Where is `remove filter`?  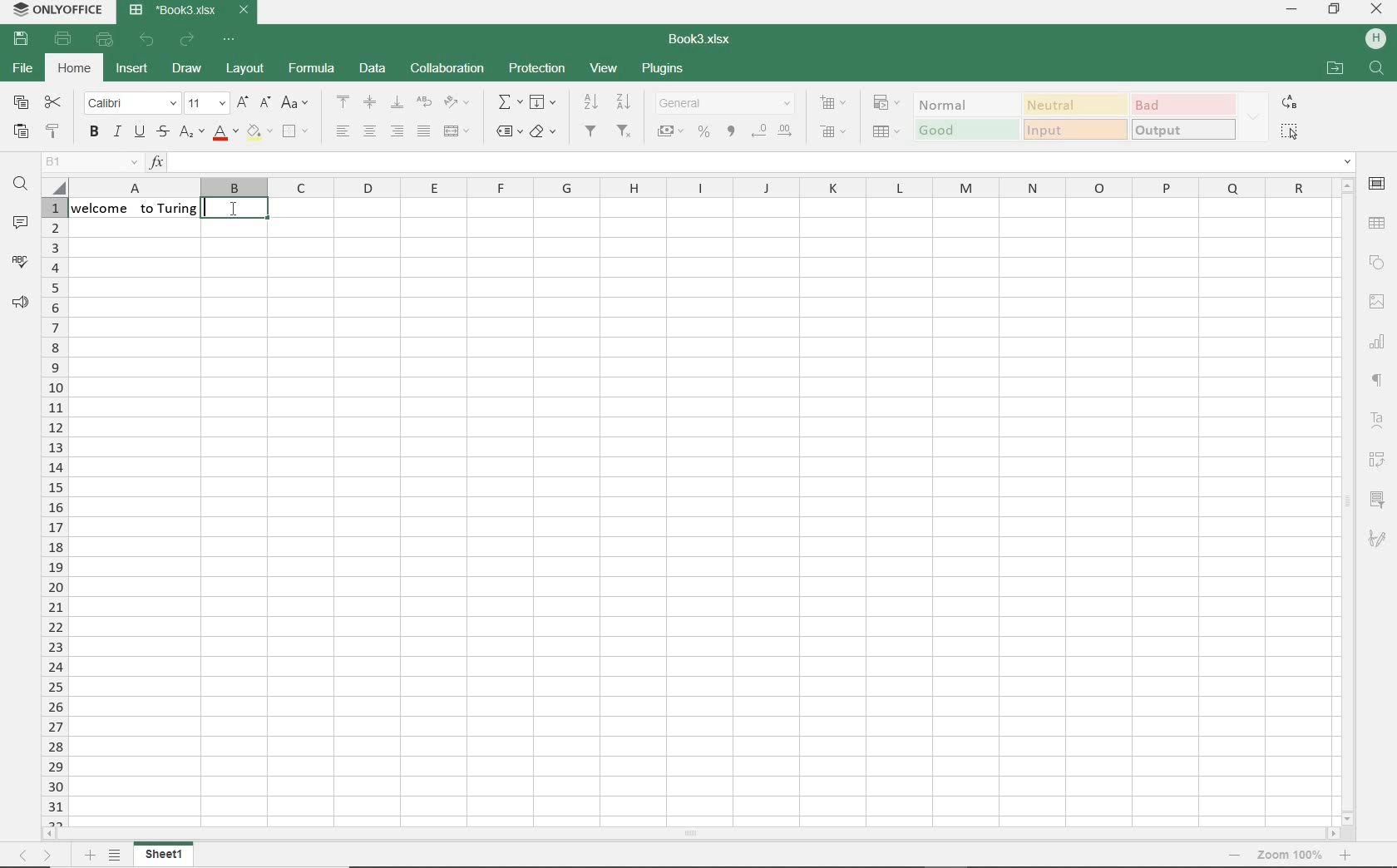 remove filter is located at coordinates (626, 133).